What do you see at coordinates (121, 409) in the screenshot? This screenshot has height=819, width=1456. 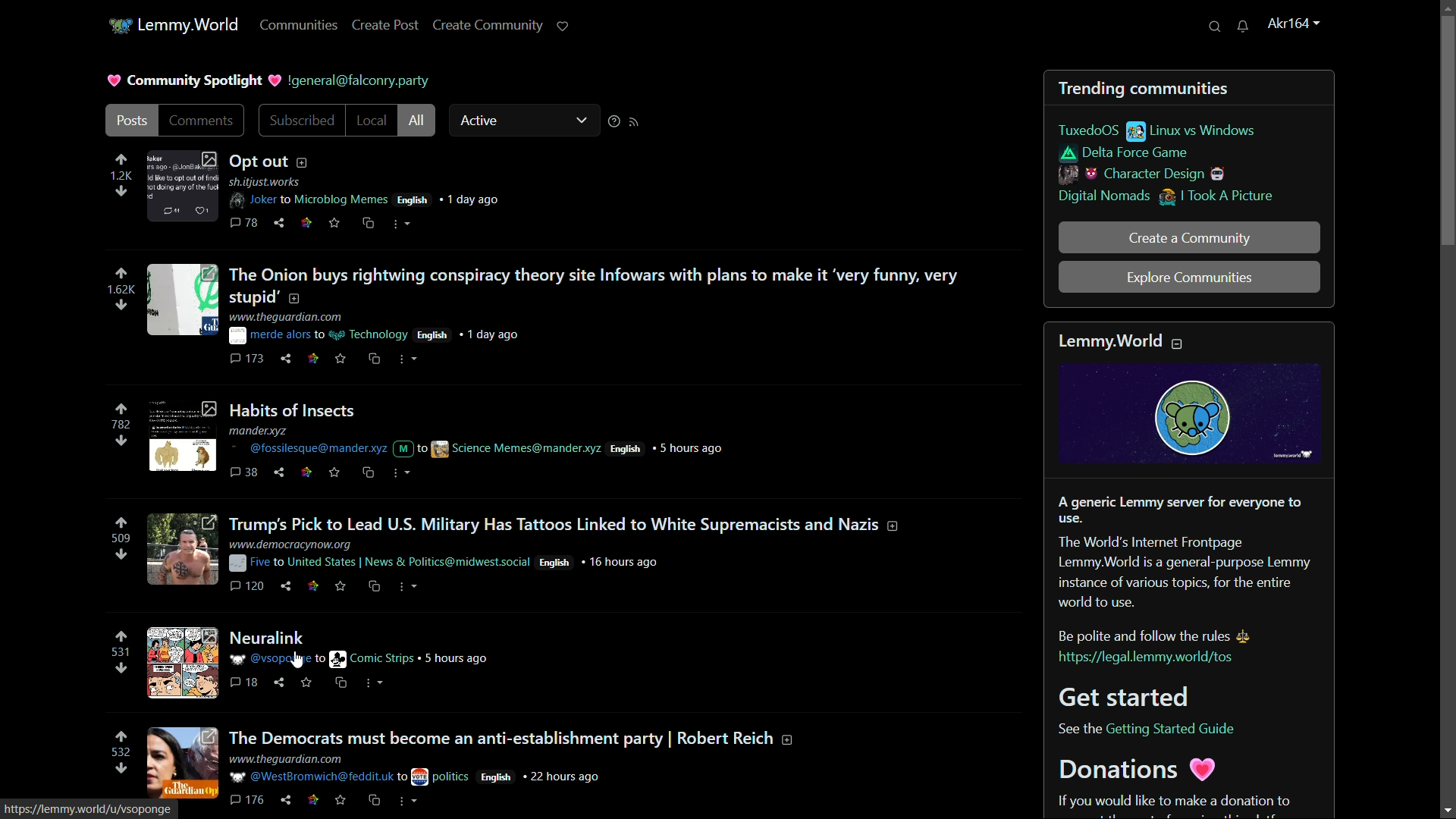 I see `upvote` at bounding box center [121, 409].